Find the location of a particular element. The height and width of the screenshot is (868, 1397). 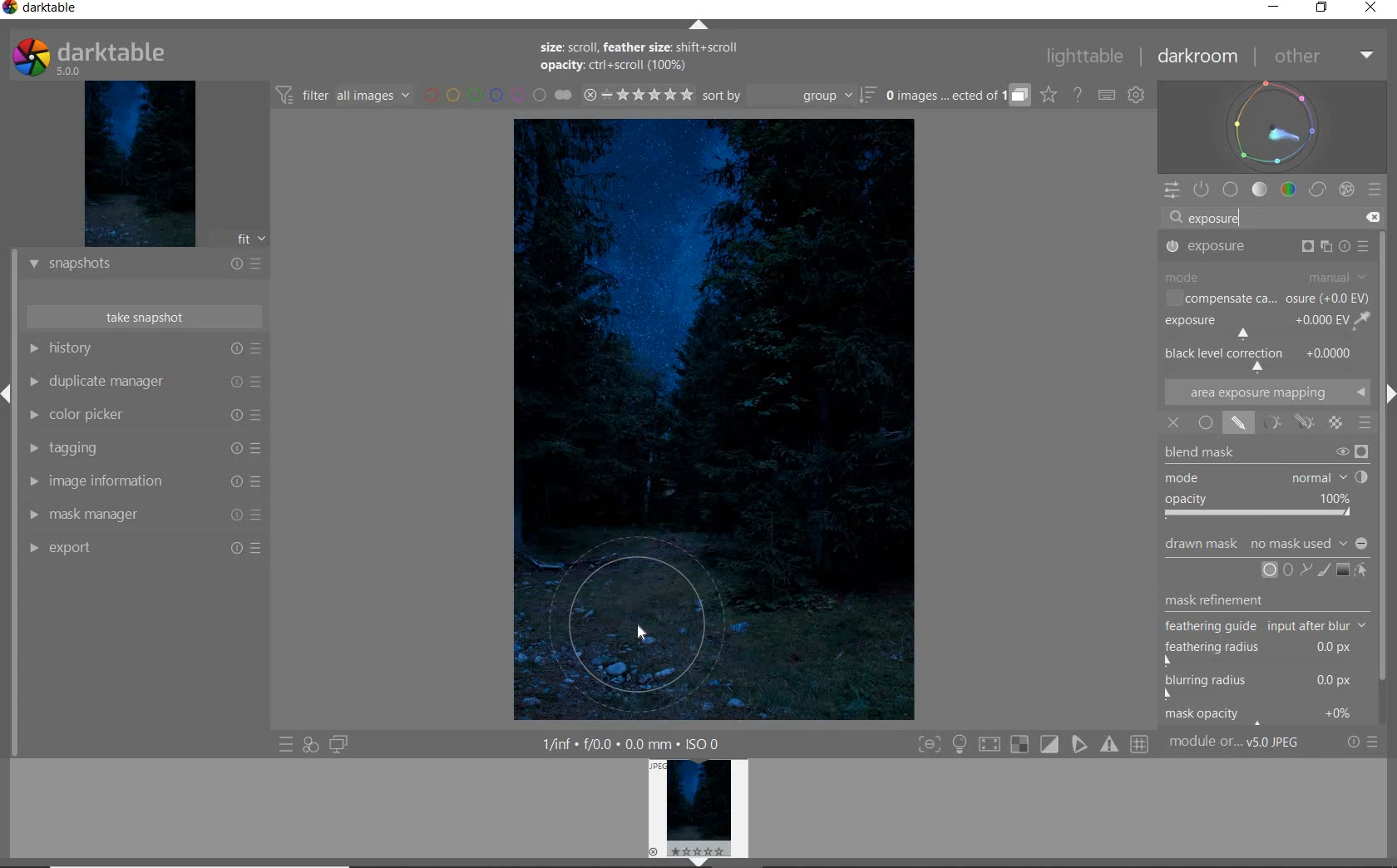

EXPOSURE is located at coordinates (1267, 325).